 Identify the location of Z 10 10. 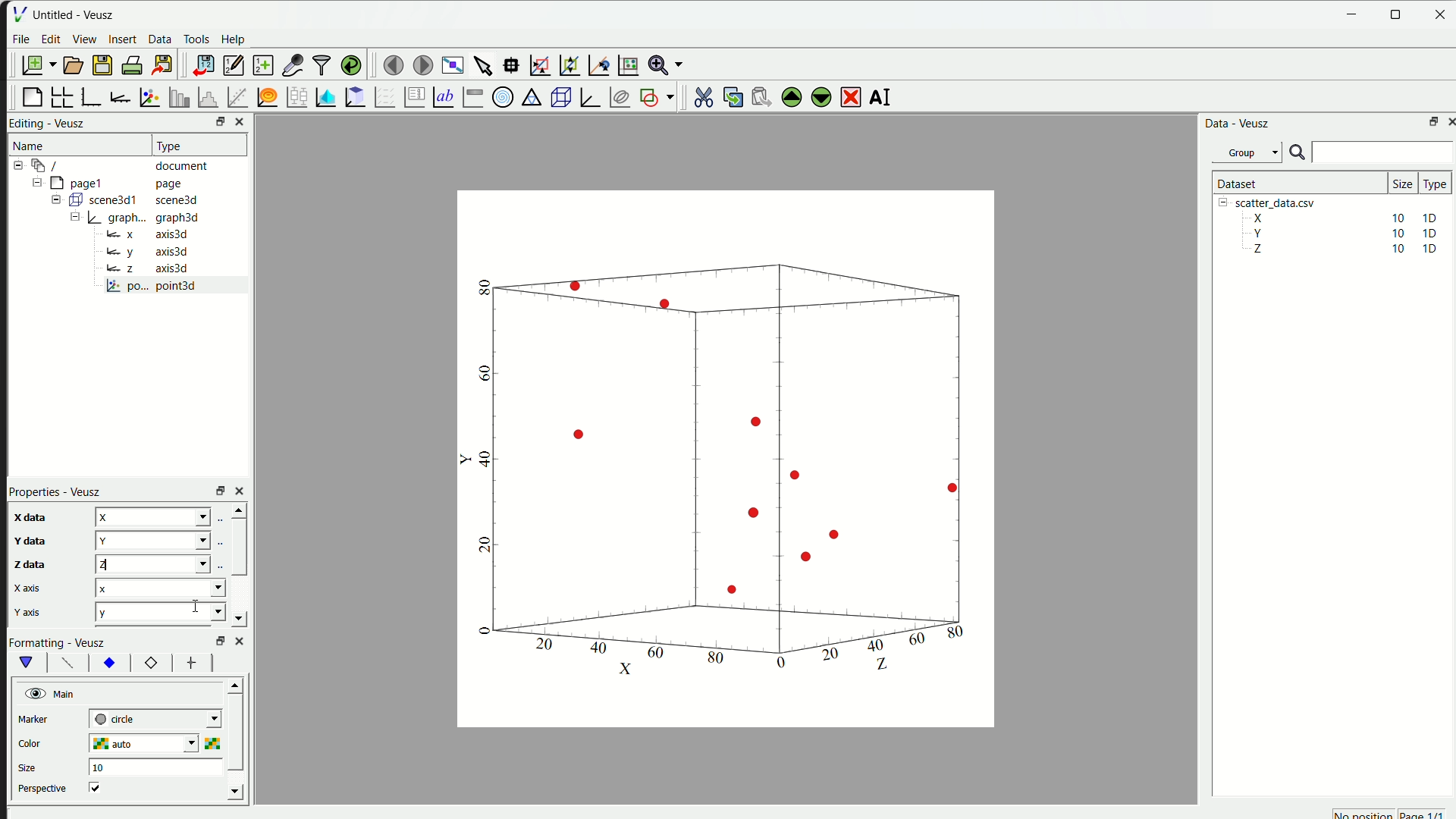
(1341, 250).